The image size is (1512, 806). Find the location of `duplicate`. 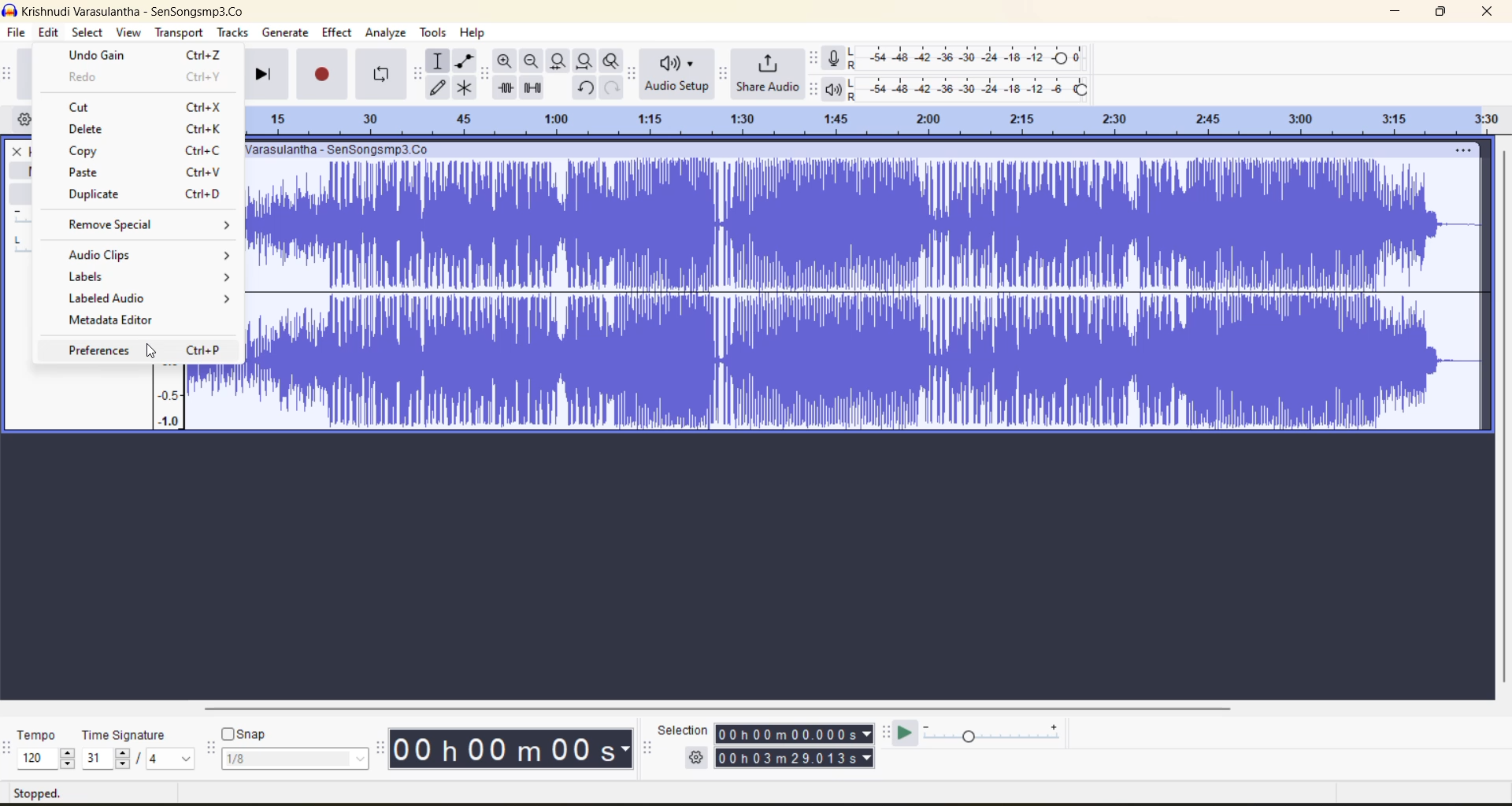

duplicate is located at coordinates (142, 194).